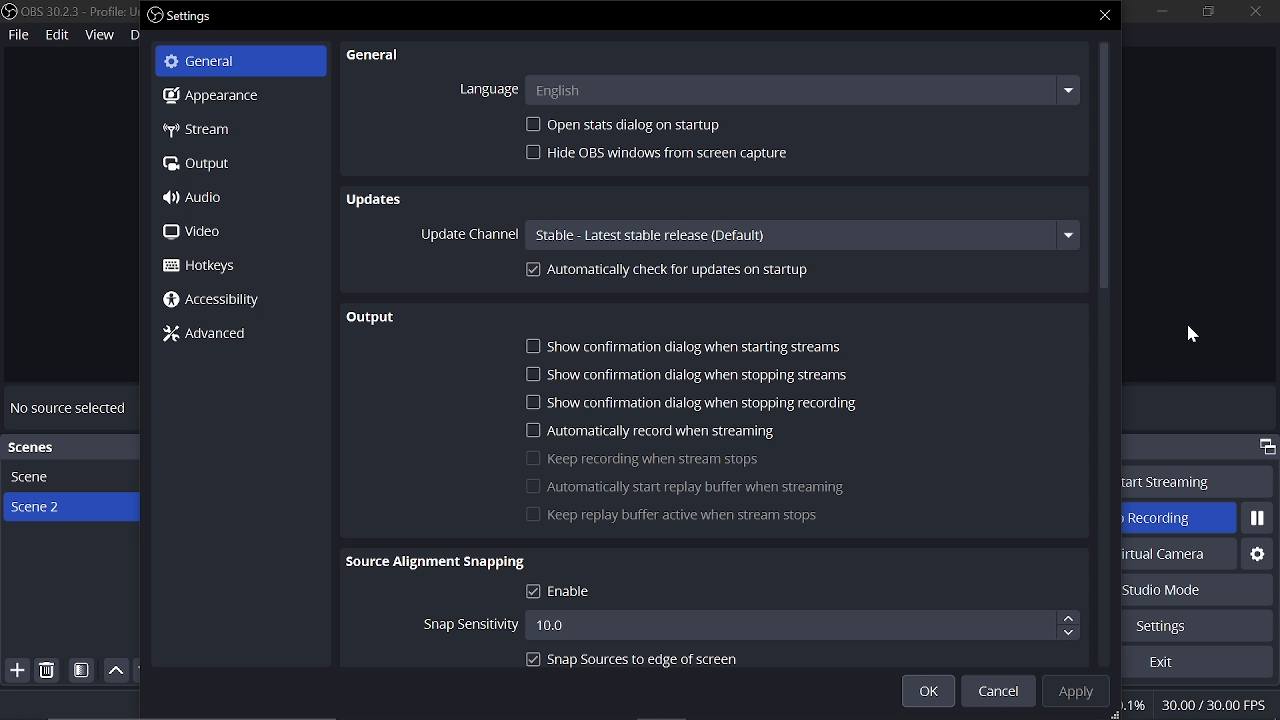 This screenshot has width=1280, height=720. Describe the element at coordinates (928, 693) in the screenshot. I see `ok` at that location.